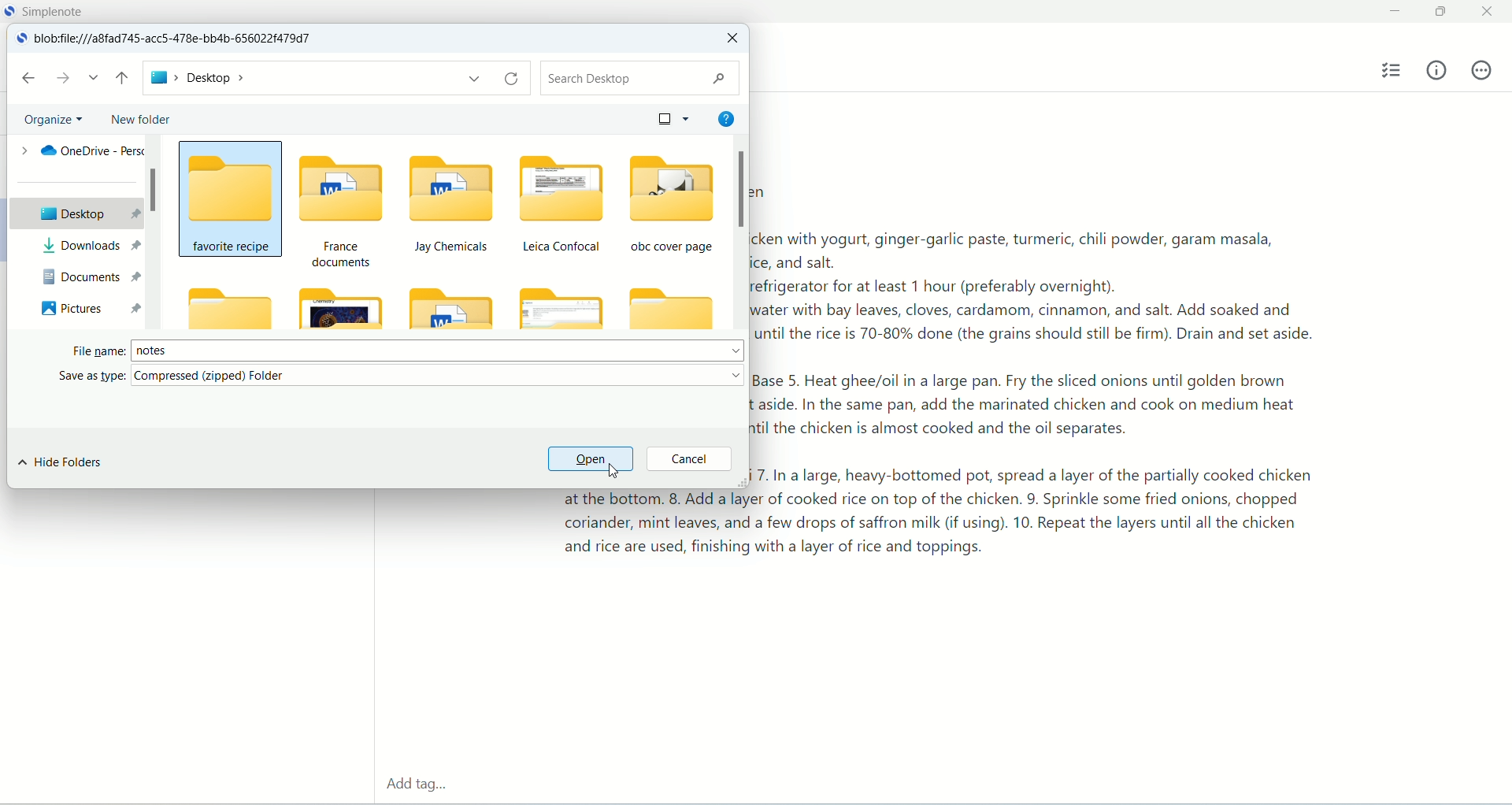  I want to click on actions, so click(1481, 70).